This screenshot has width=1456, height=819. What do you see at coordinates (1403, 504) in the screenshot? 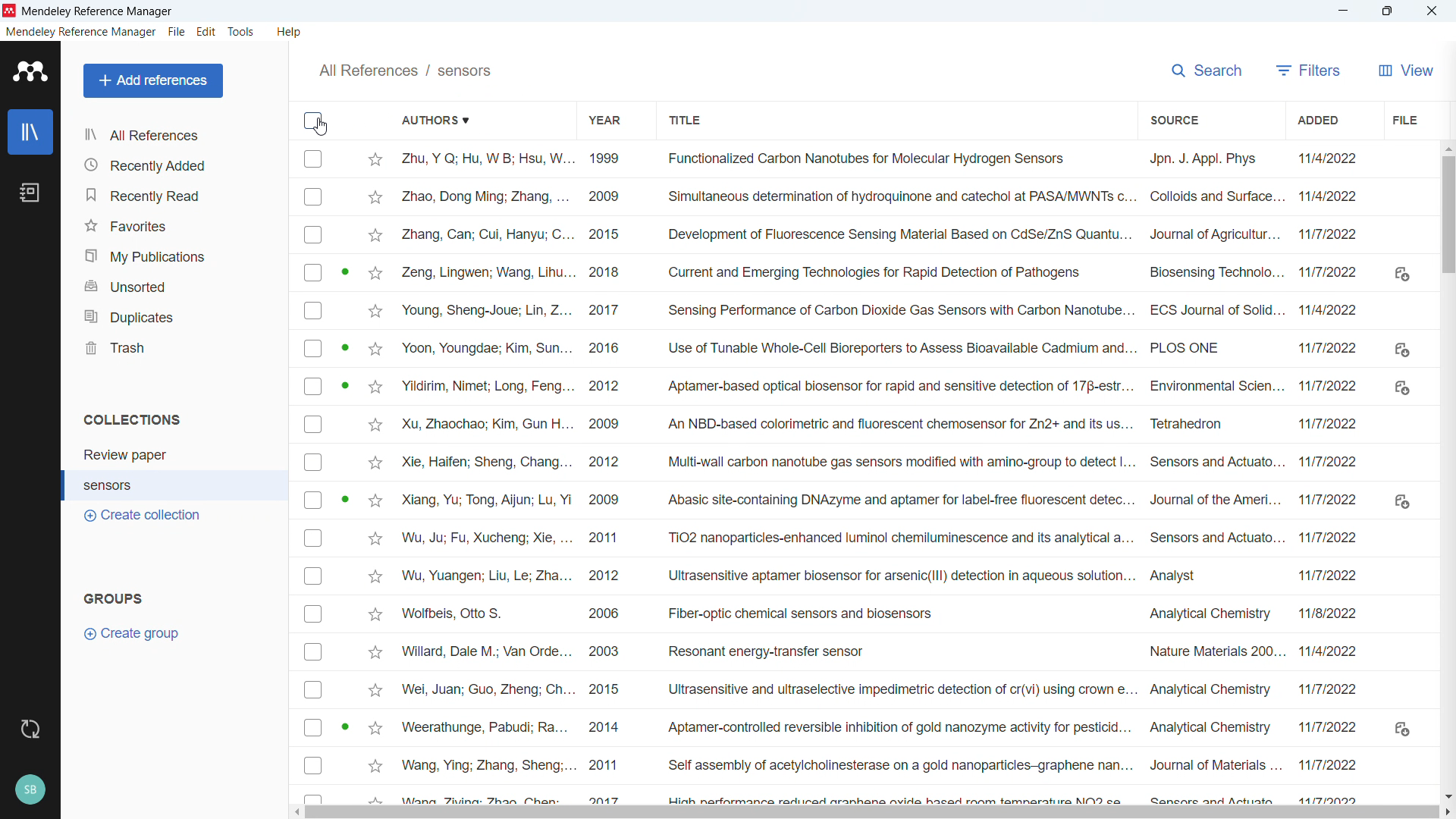
I see `Download links where Pdfs available` at bounding box center [1403, 504].